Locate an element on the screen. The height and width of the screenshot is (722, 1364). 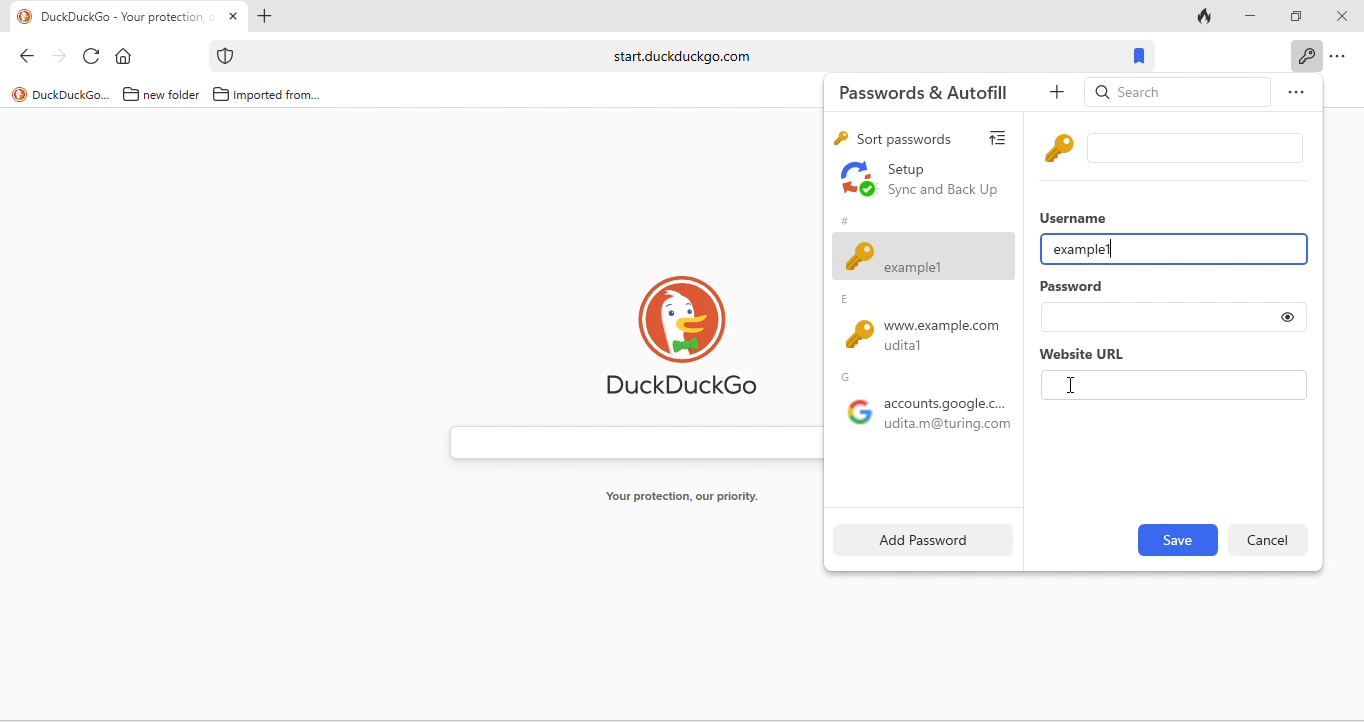
e is located at coordinates (849, 300).